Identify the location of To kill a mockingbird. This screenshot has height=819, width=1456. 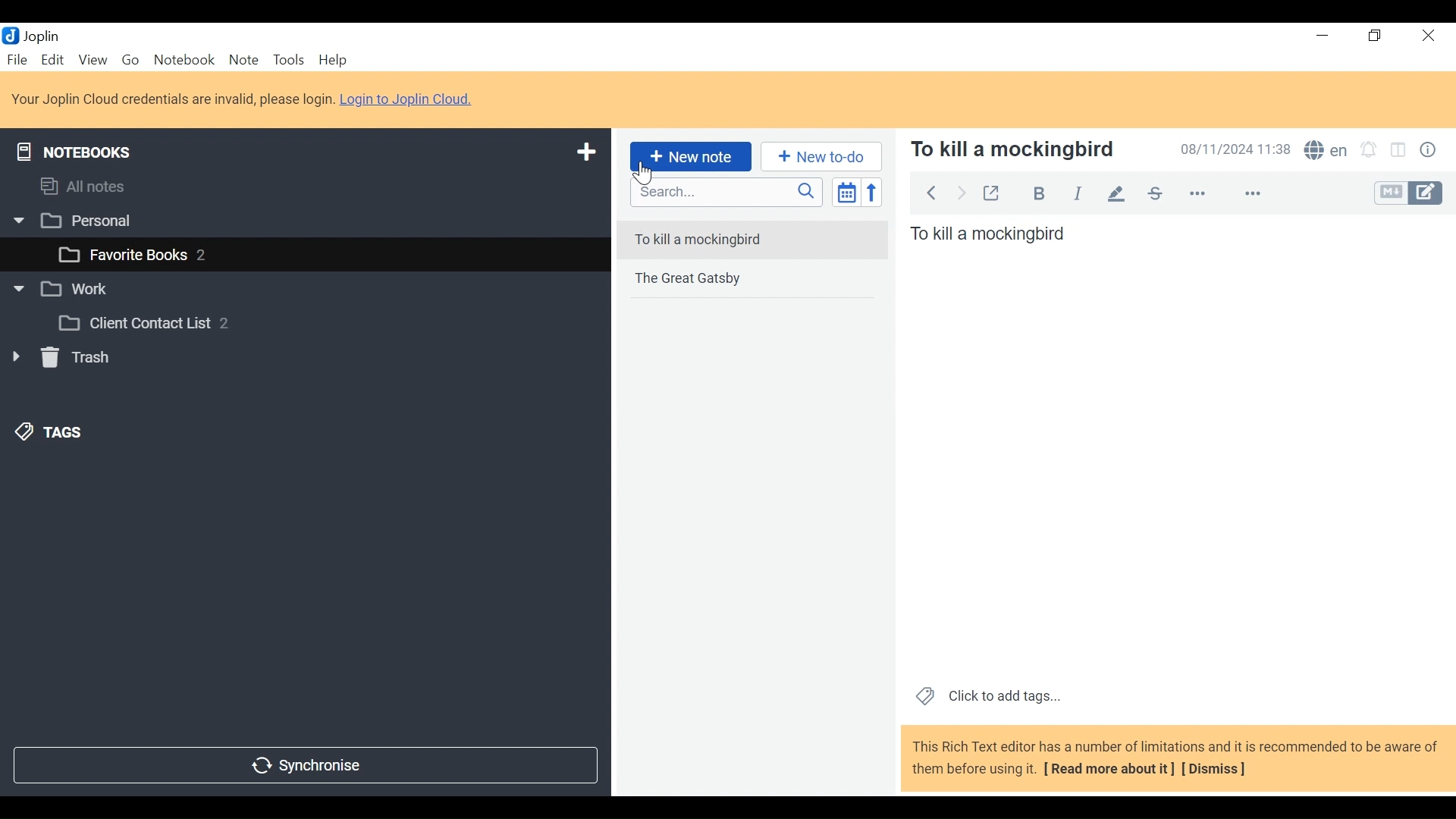
(1174, 421).